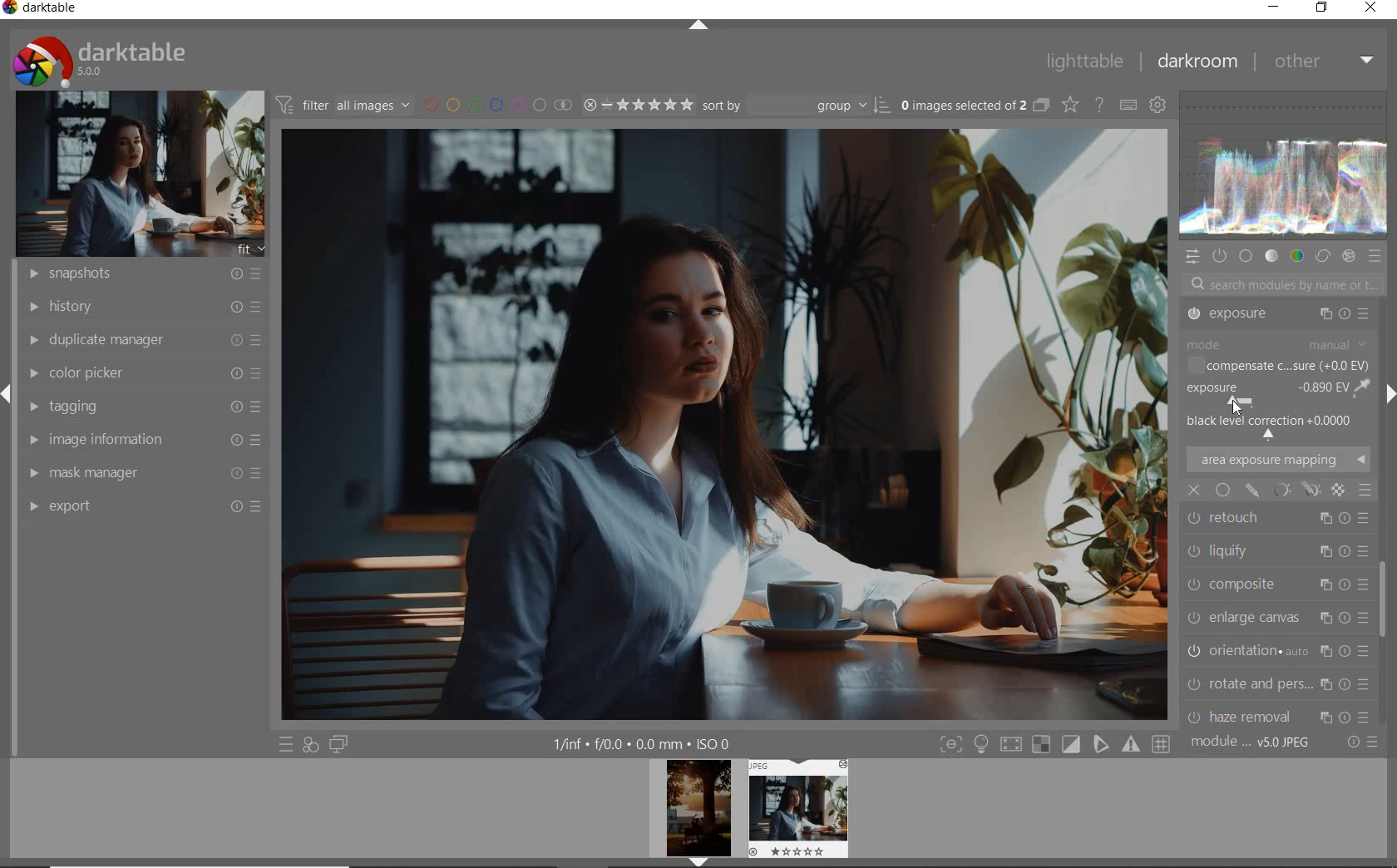 Image resolution: width=1397 pixels, height=868 pixels. Describe the element at coordinates (141, 405) in the screenshot. I see `TAGGING` at that location.